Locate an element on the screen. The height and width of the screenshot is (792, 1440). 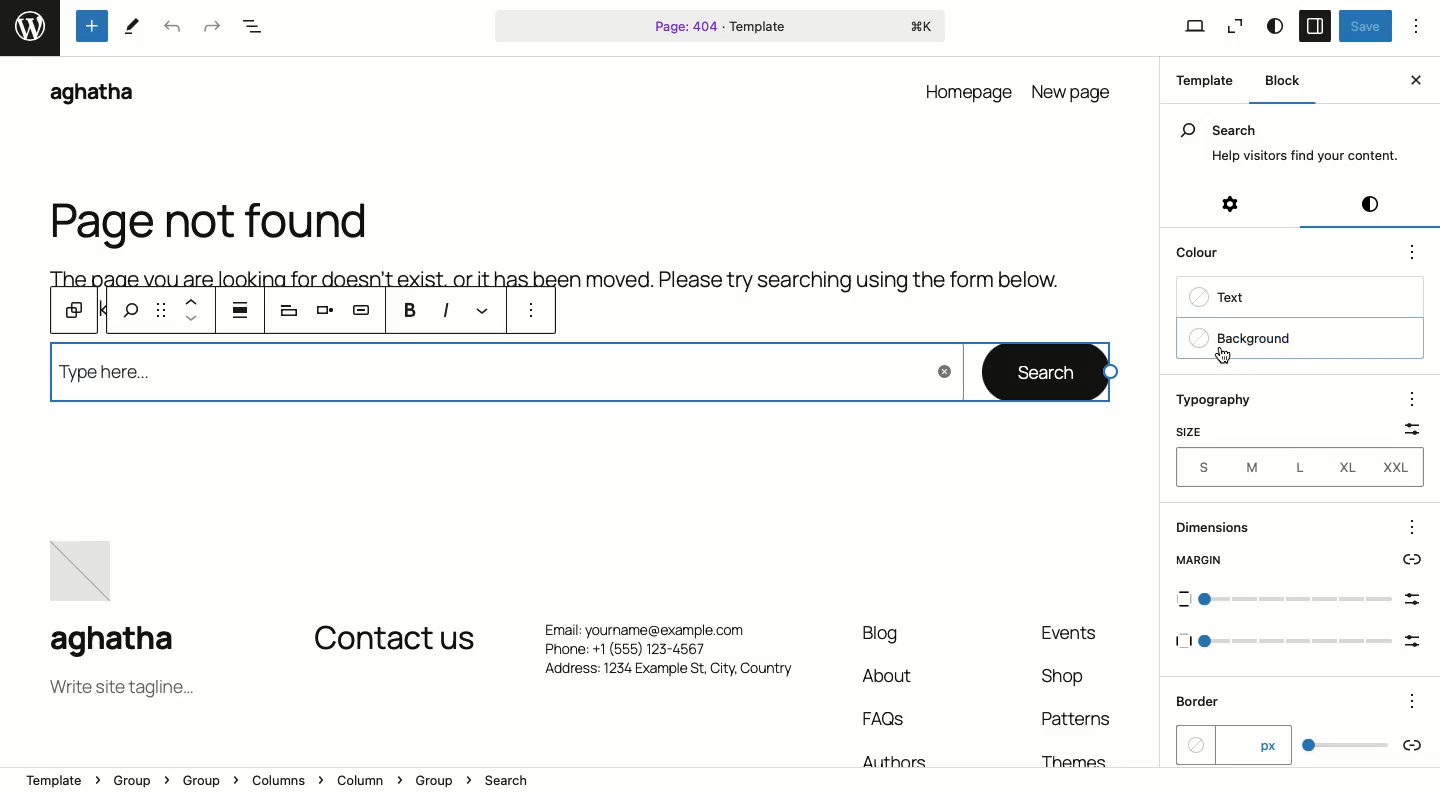
homepage is located at coordinates (970, 90).